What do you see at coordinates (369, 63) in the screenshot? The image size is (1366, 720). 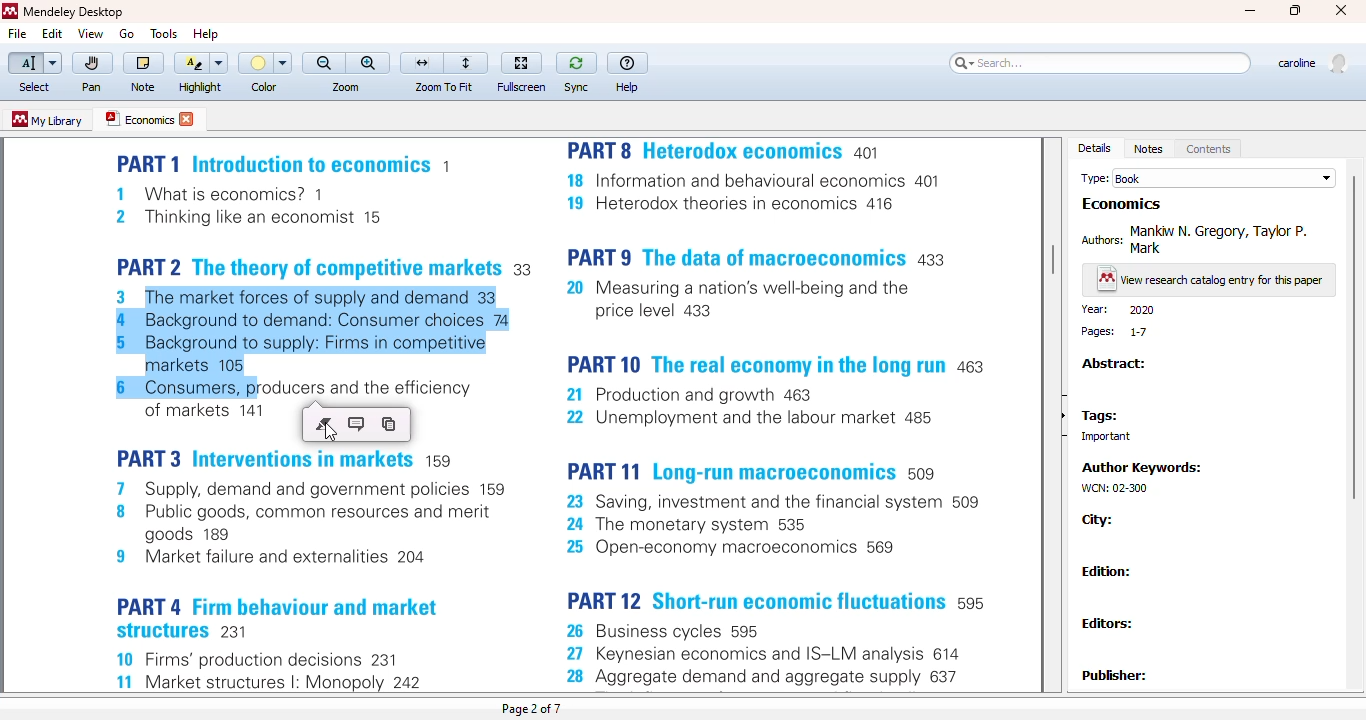 I see `zoom in` at bounding box center [369, 63].